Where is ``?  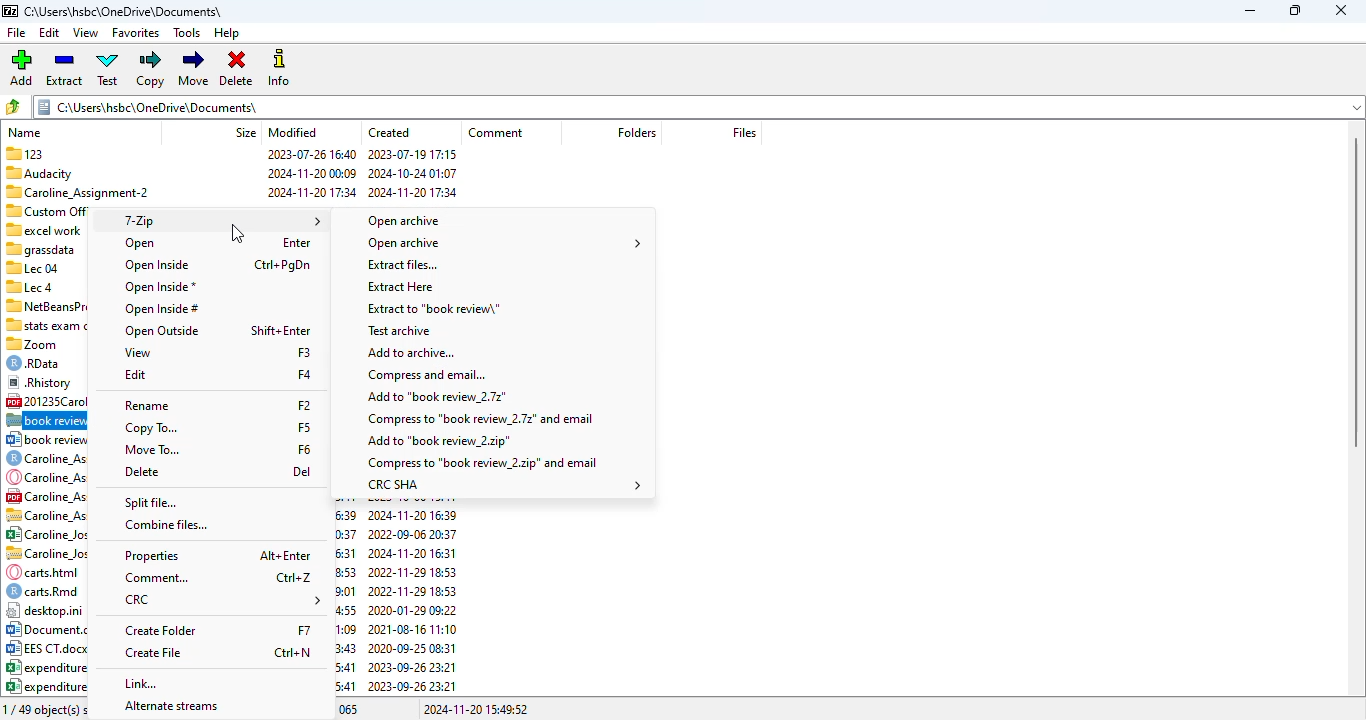
 is located at coordinates (39, 248).